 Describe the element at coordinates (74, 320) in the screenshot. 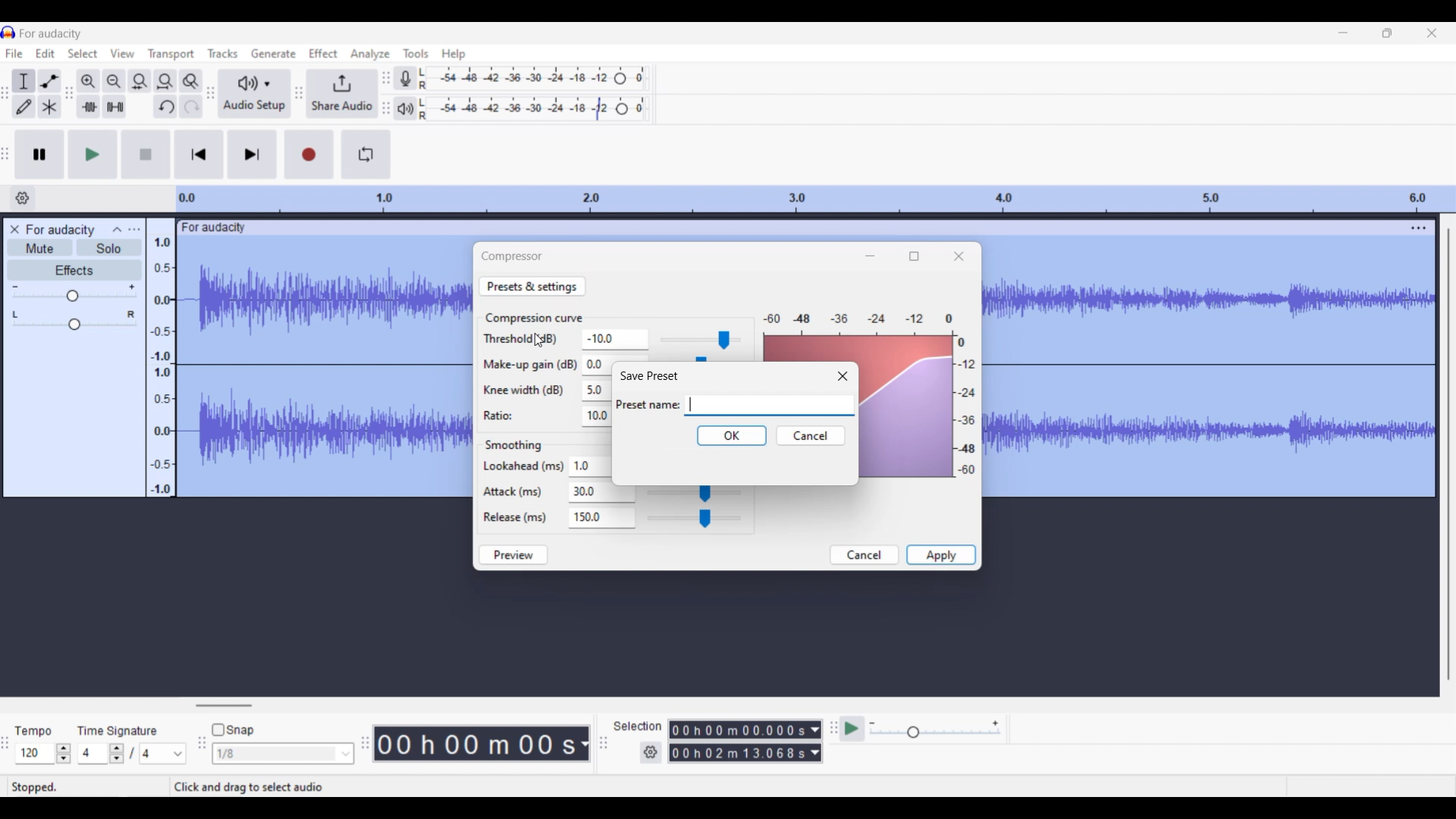

I see `Pan slide` at that location.